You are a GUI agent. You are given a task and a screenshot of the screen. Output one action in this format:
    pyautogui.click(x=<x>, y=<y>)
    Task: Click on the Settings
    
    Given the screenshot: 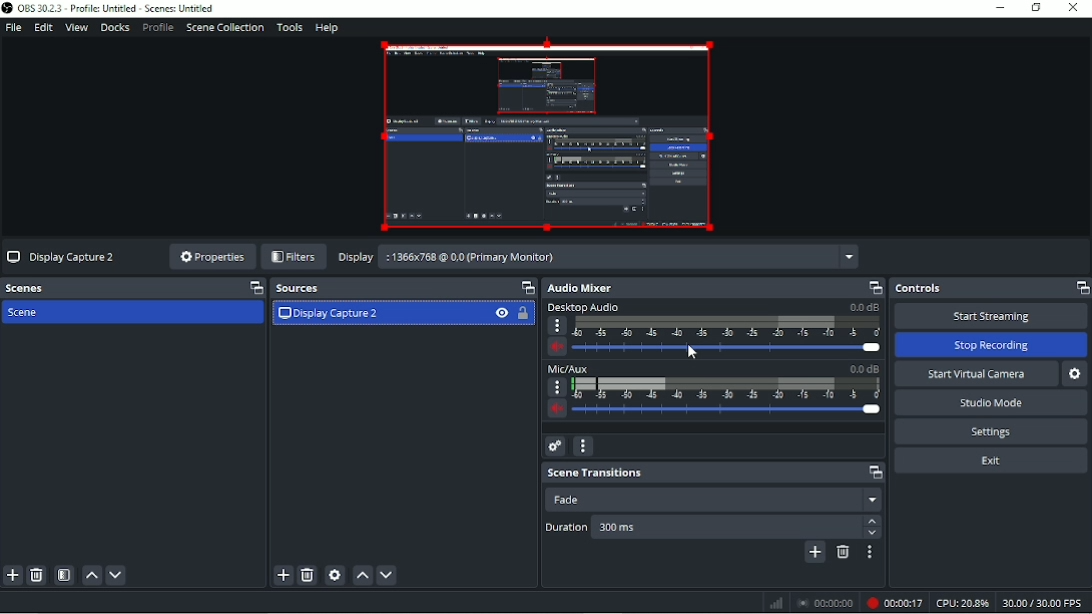 What is the action you would take?
    pyautogui.click(x=992, y=432)
    